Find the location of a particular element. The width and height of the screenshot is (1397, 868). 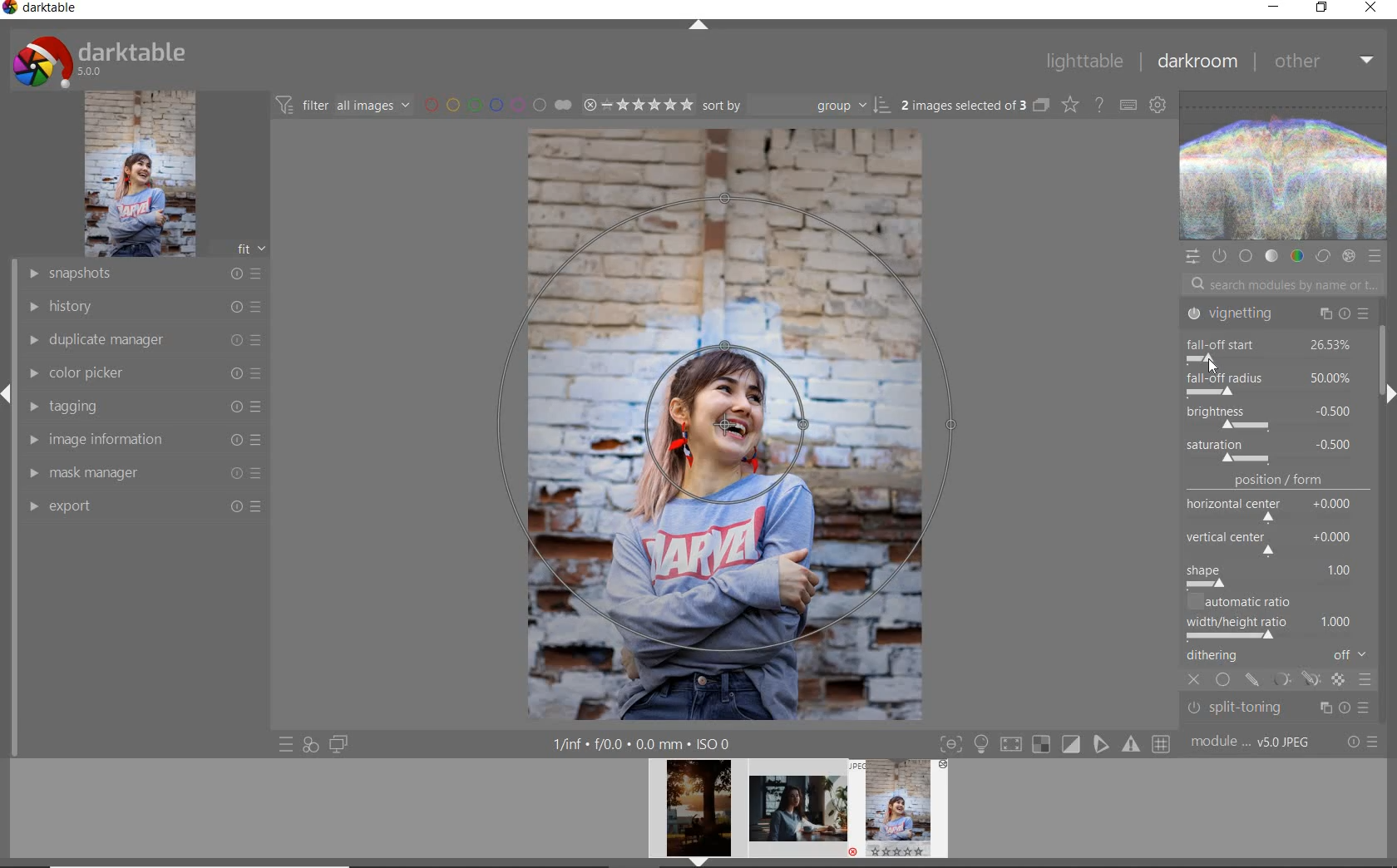

ratio is located at coordinates (1281, 618).